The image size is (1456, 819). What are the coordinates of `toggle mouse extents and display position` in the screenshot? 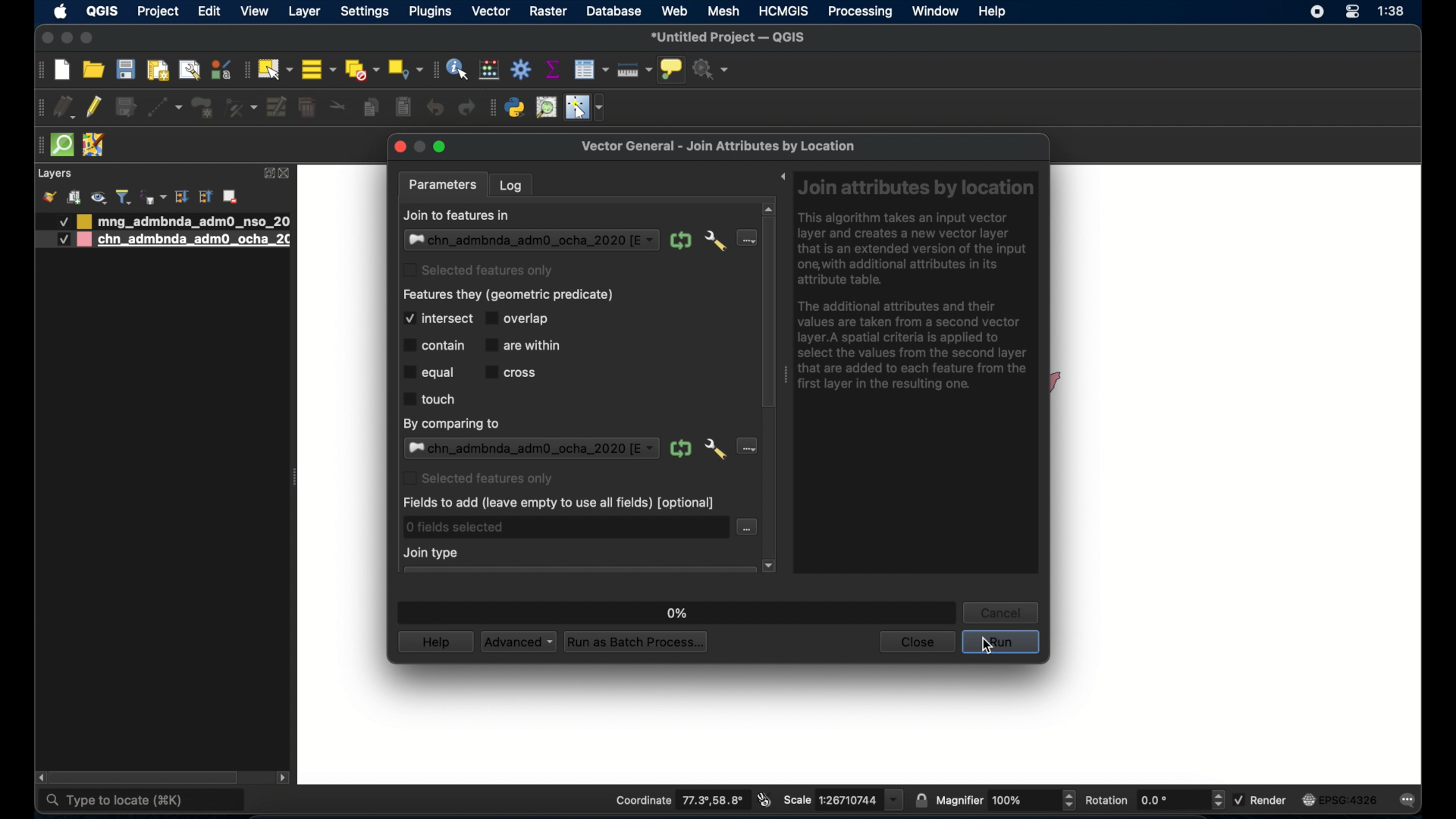 It's located at (764, 800).